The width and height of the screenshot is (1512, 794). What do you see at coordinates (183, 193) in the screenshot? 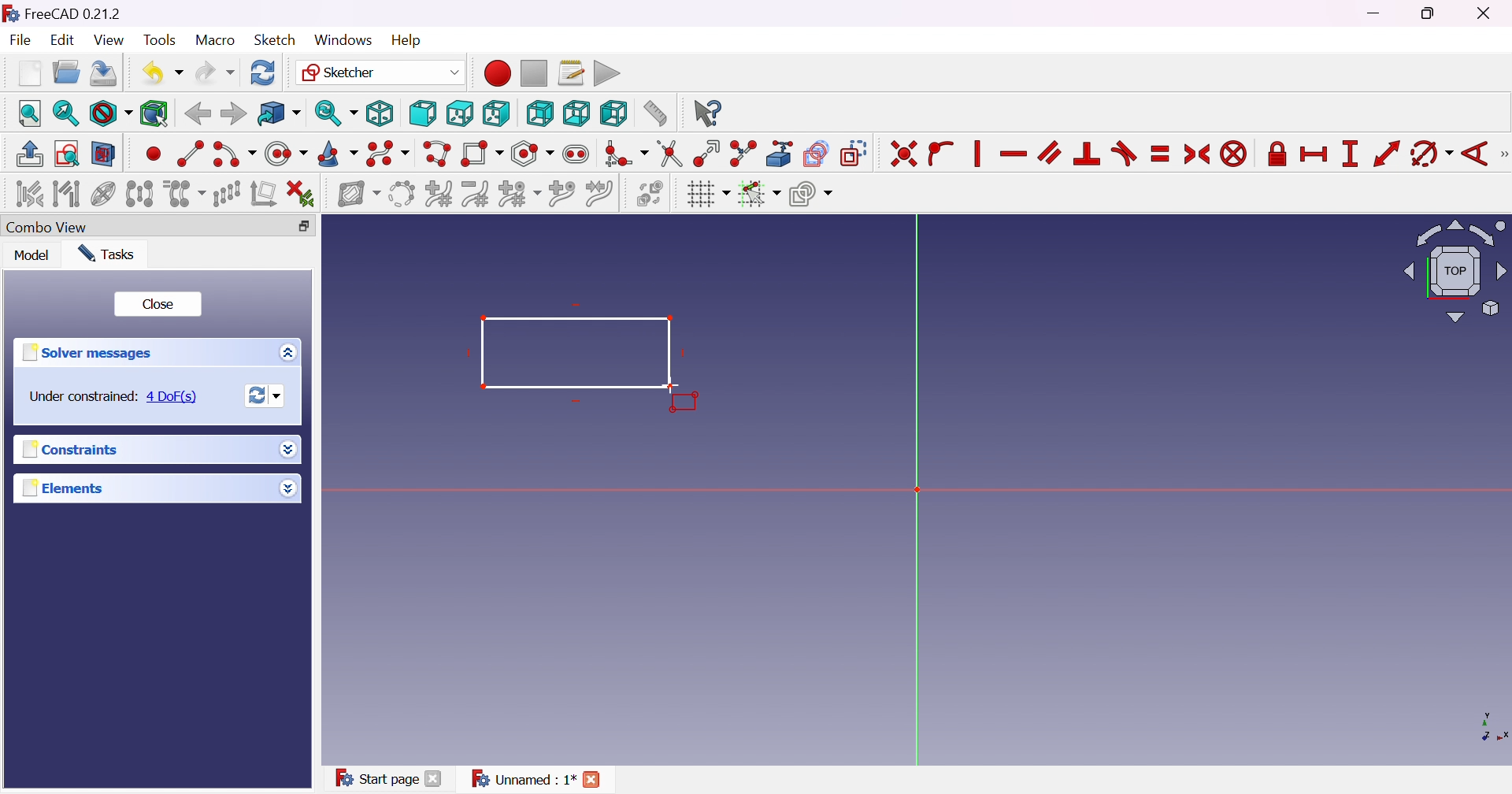
I see `Clone` at bounding box center [183, 193].